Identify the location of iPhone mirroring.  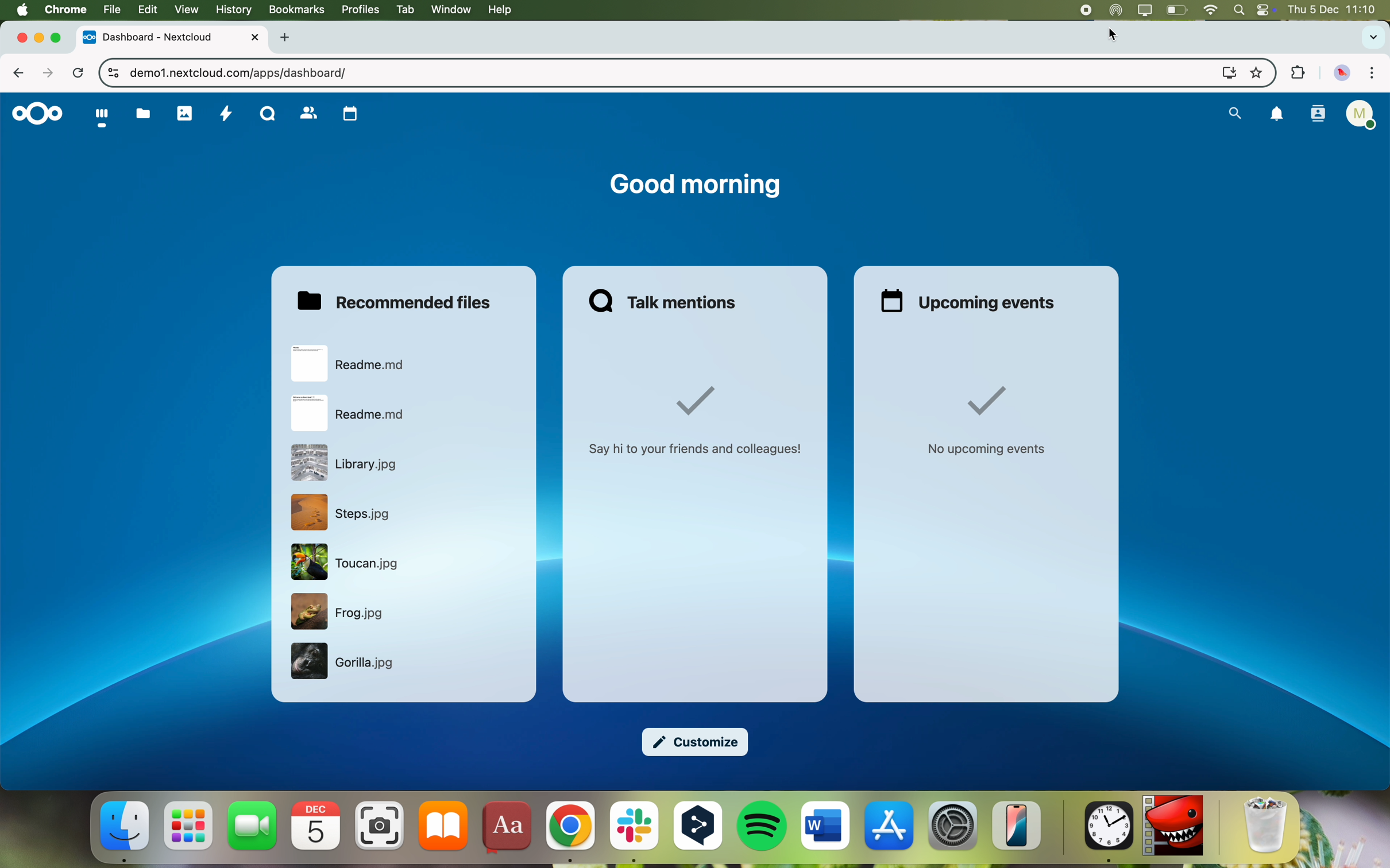
(1017, 826).